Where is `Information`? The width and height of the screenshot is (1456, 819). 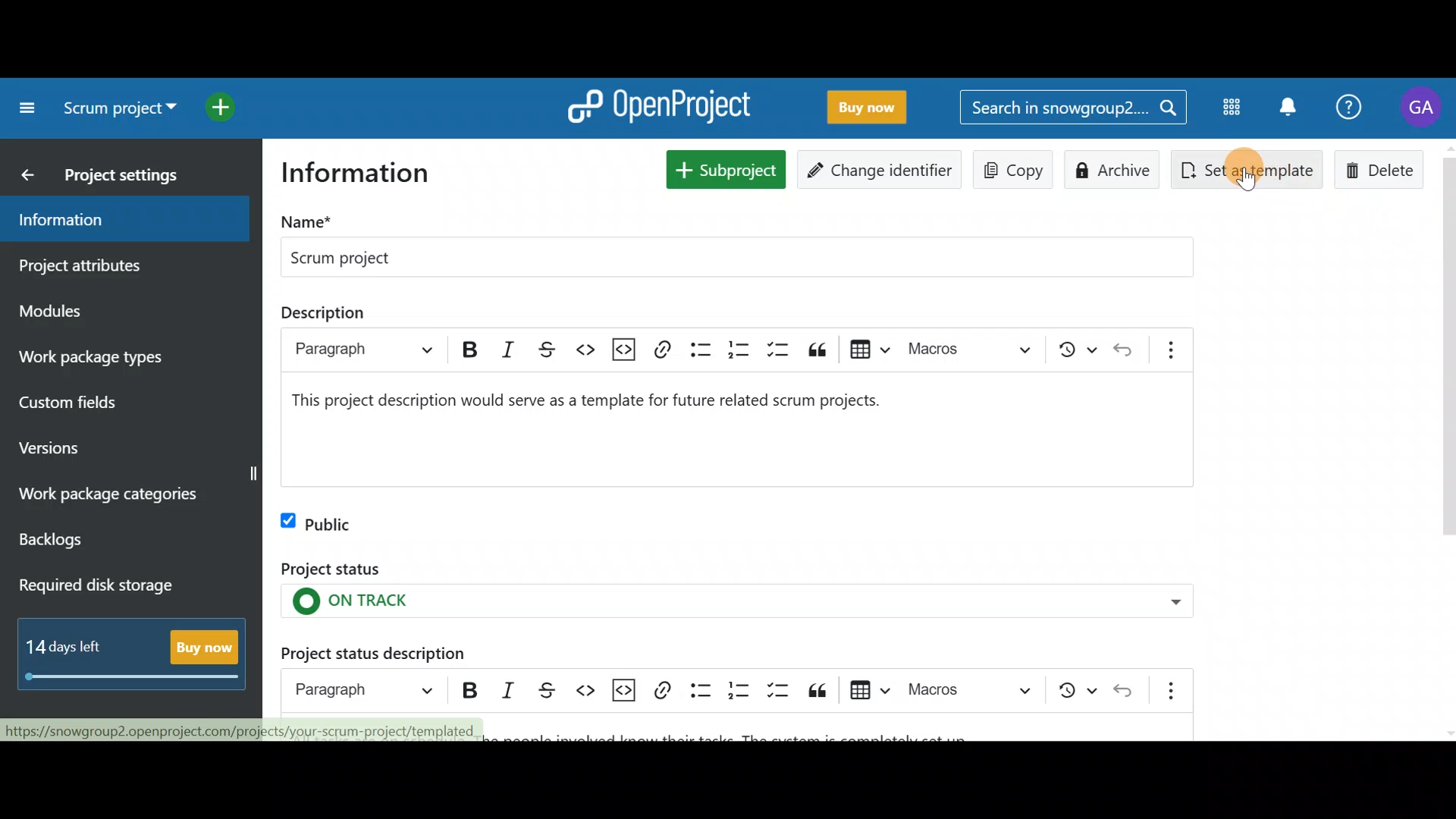
Information is located at coordinates (367, 175).